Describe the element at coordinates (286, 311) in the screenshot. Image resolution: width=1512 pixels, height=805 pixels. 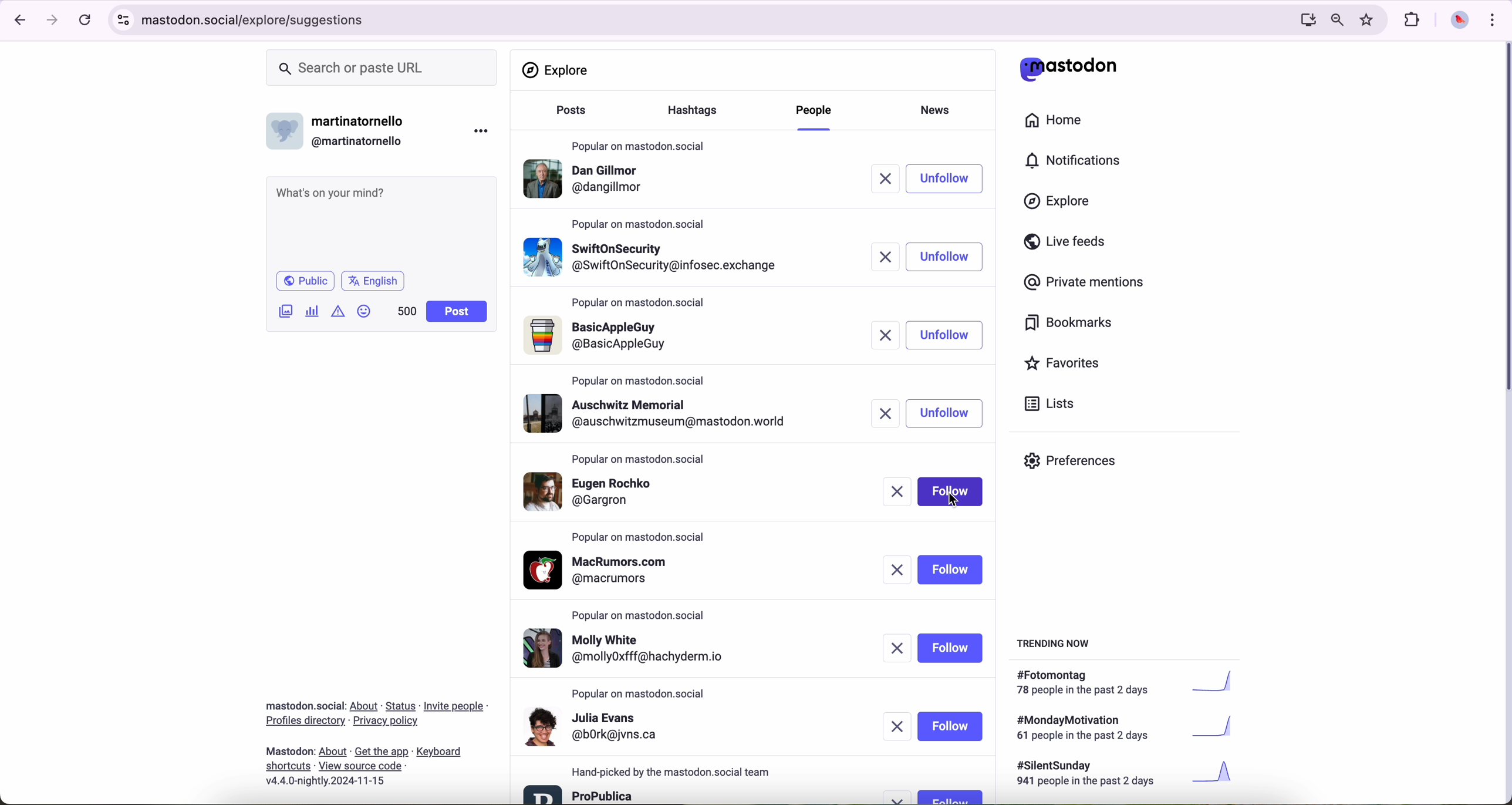
I see `attach image` at that location.